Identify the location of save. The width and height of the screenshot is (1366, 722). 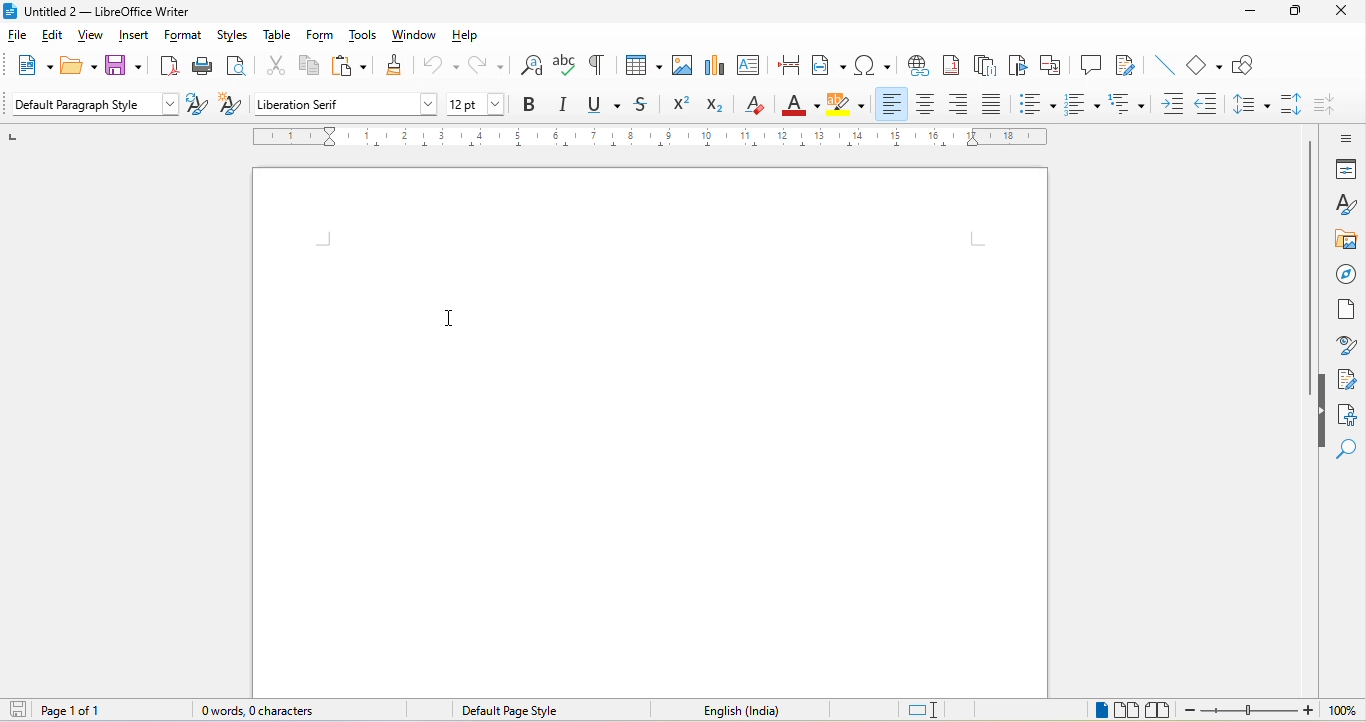
(123, 66).